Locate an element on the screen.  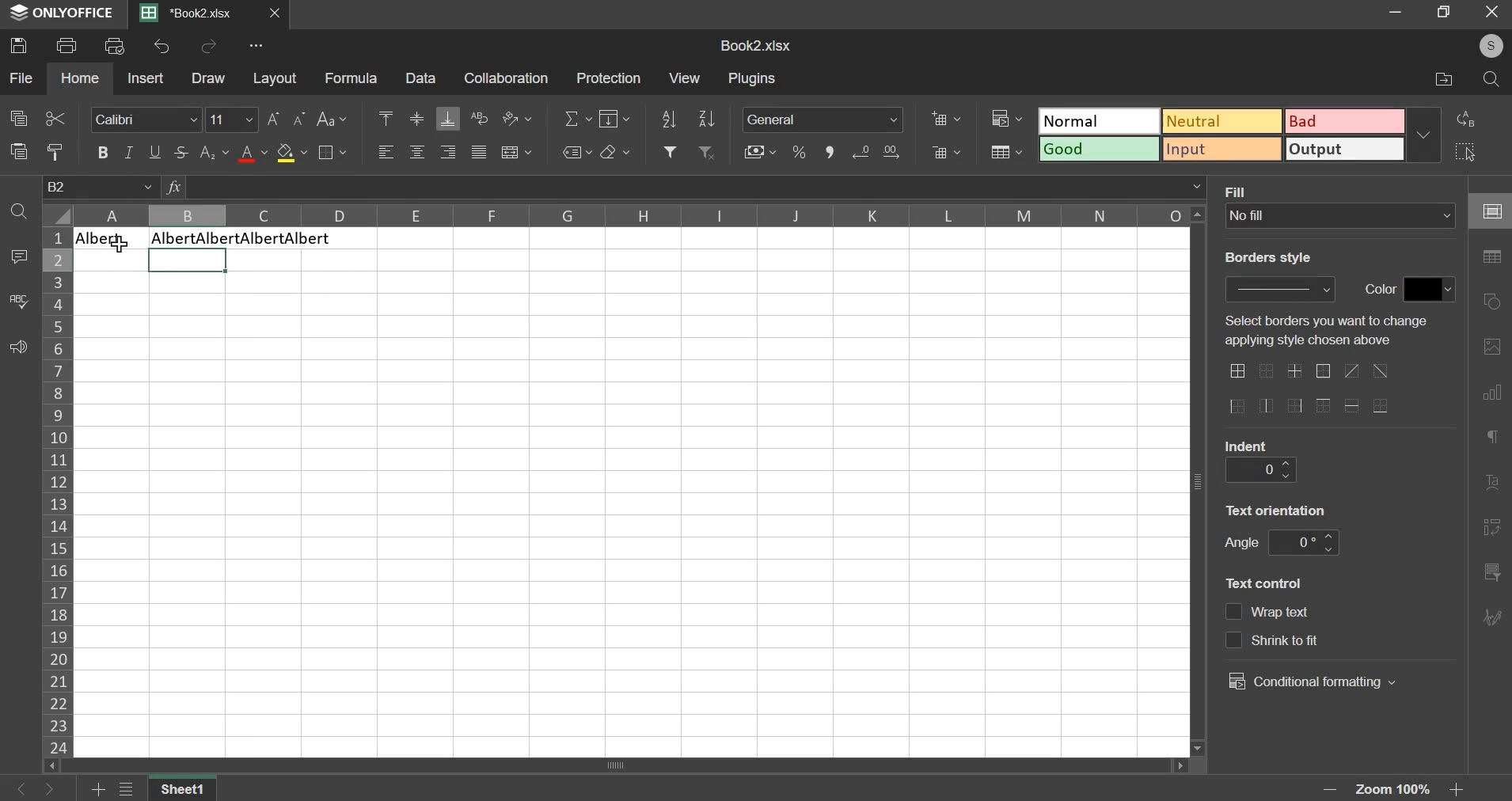
file location is located at coordinates (1434, 77).